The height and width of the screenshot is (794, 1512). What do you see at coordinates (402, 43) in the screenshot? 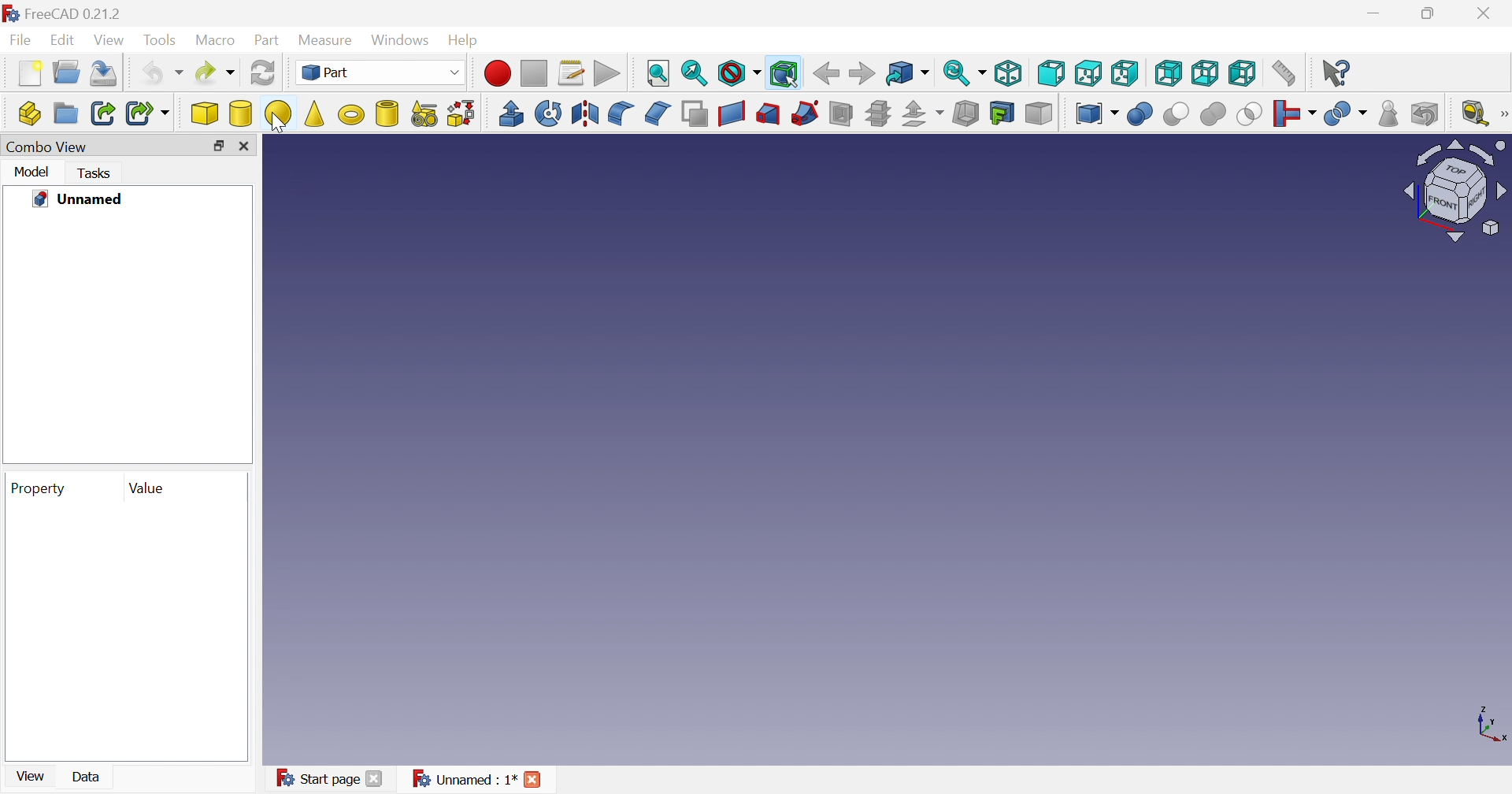
I see `Windows` at bounding box center [402, 43].